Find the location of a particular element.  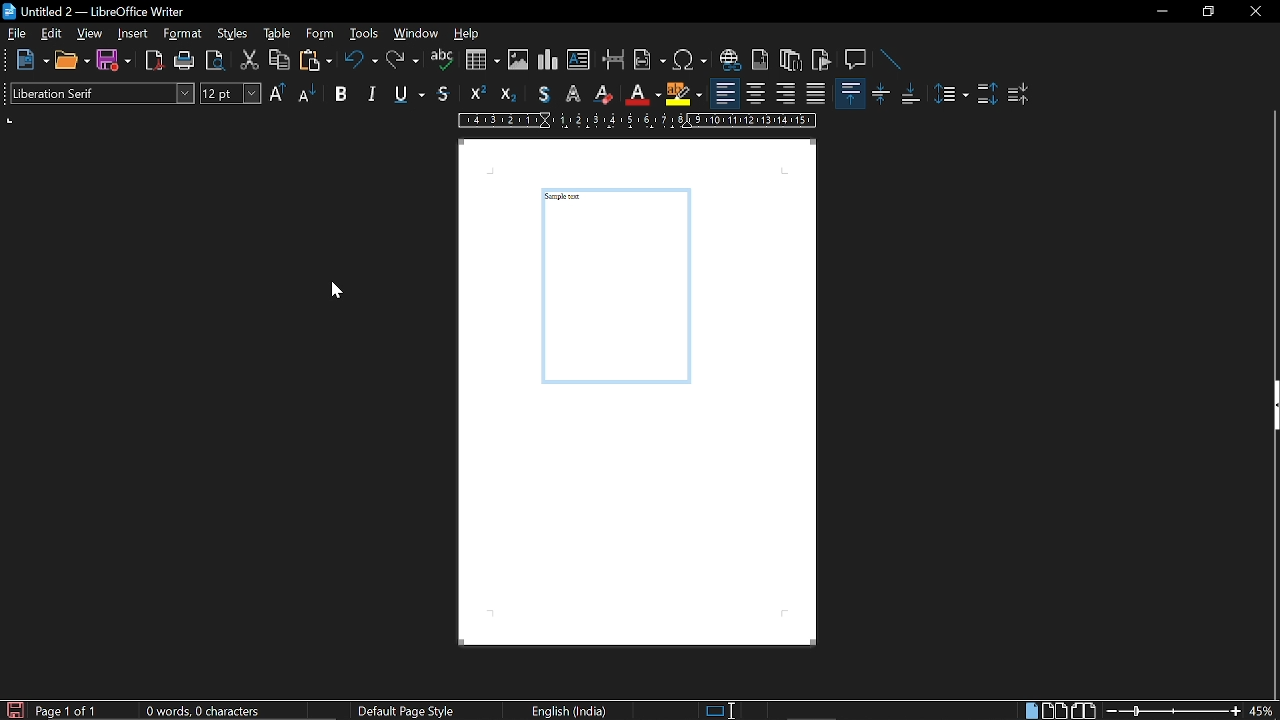

bold is located at coordinates (341, 92).